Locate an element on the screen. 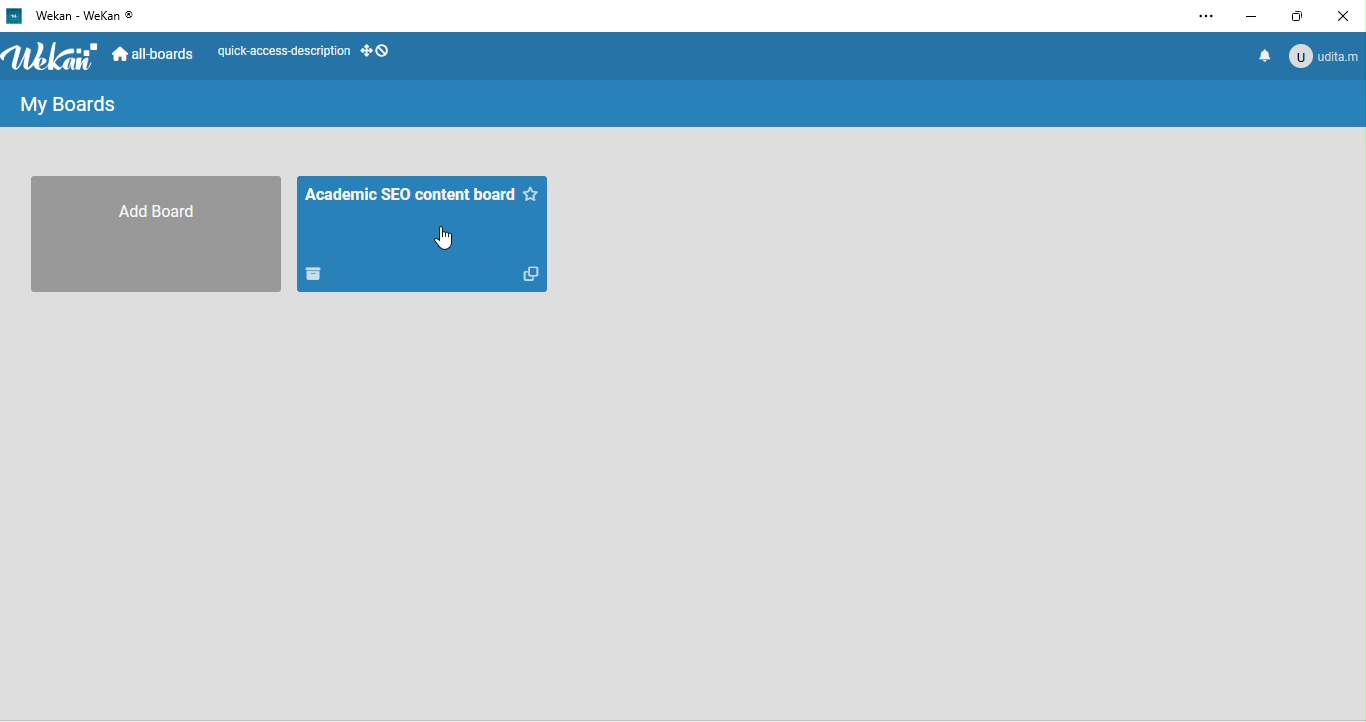  notification is located at coordinates (1266, 56).